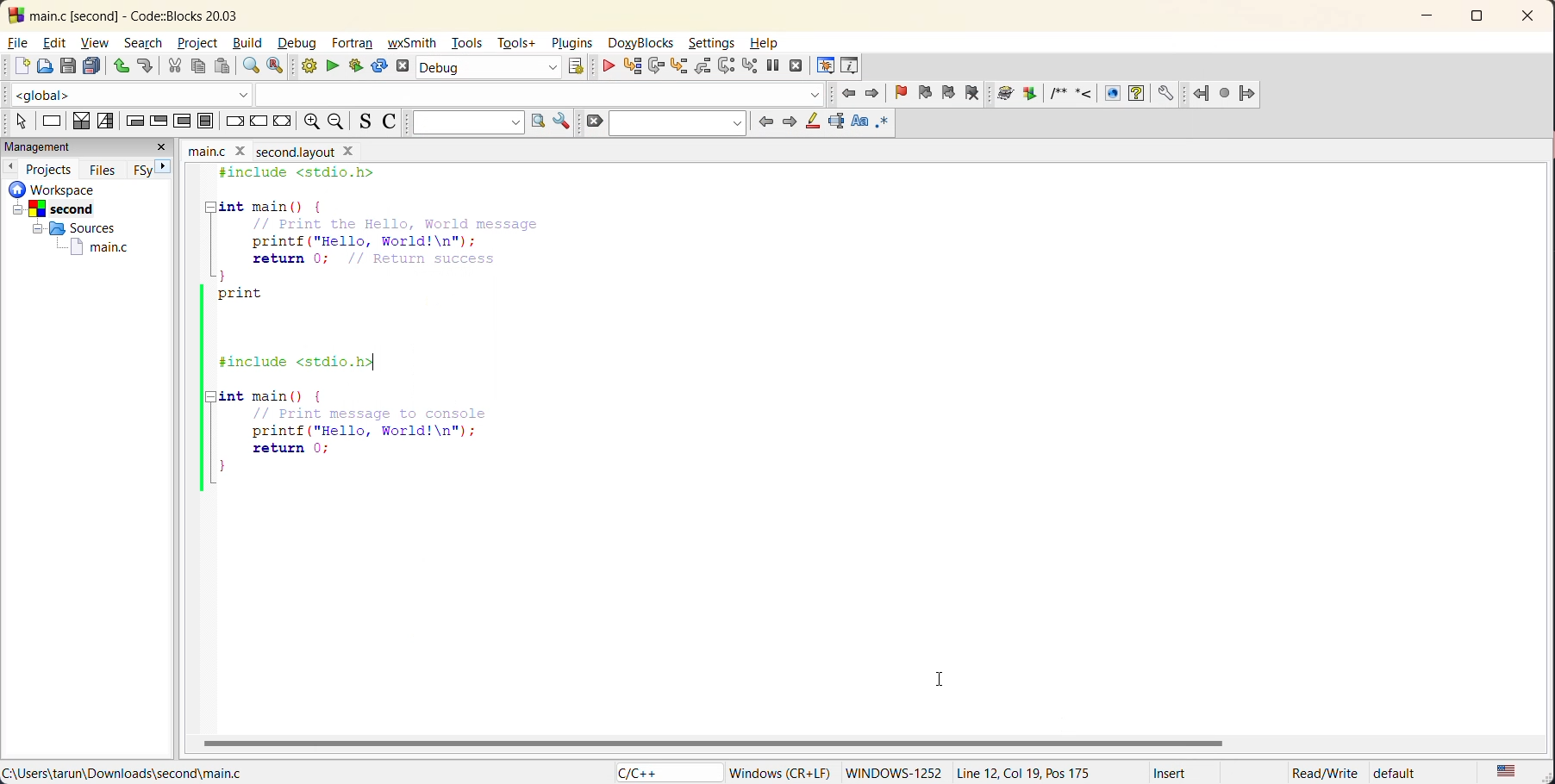  Describe the element at coordinates (381, 66) in the screenshot. I see `rebuild` at that location.